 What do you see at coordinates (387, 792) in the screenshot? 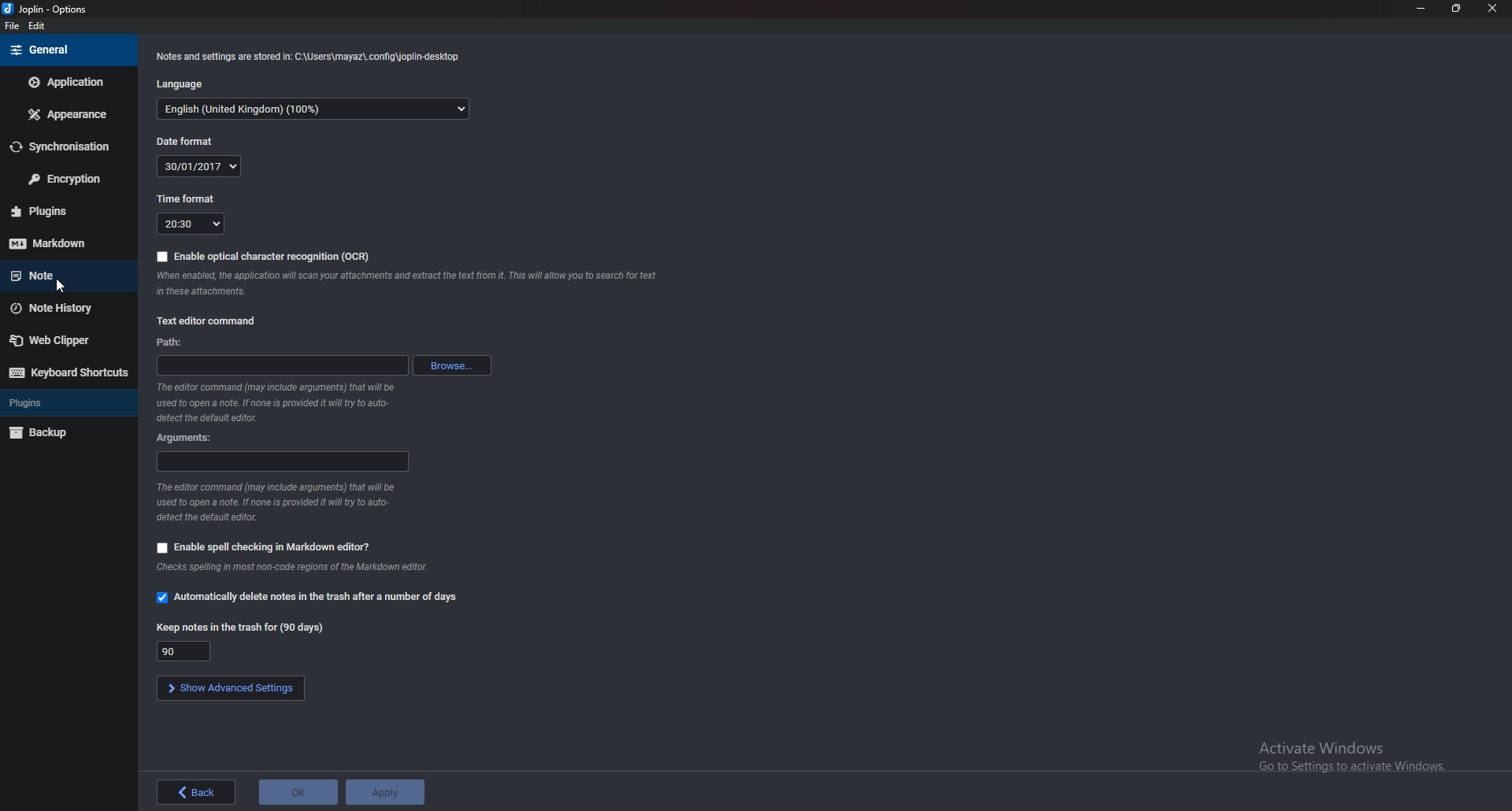
I see `apply` at bounding box center [387, 792].